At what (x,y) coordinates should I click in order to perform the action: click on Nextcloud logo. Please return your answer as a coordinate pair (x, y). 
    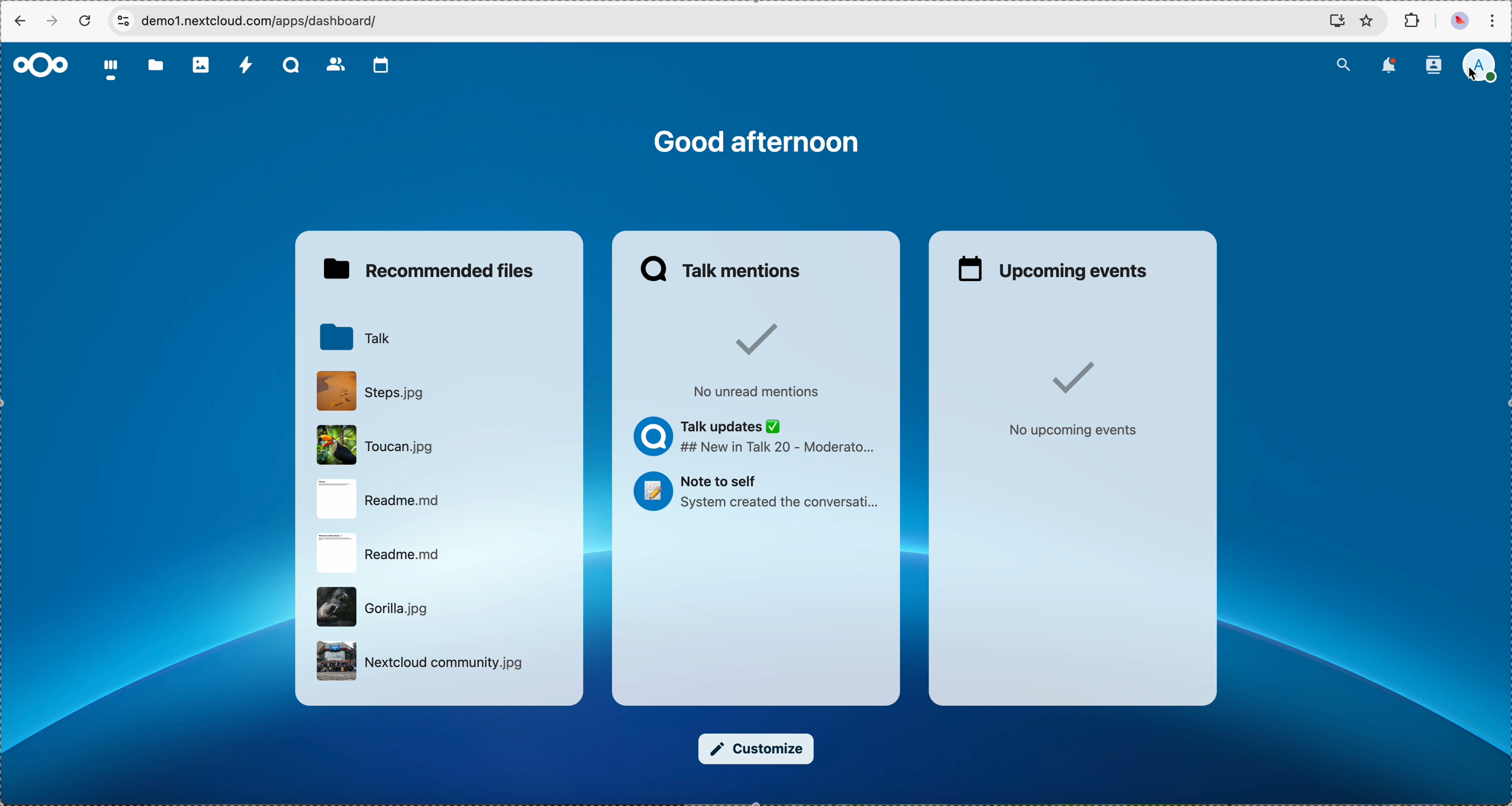
    Looking at the image, I should click on (39, 65).